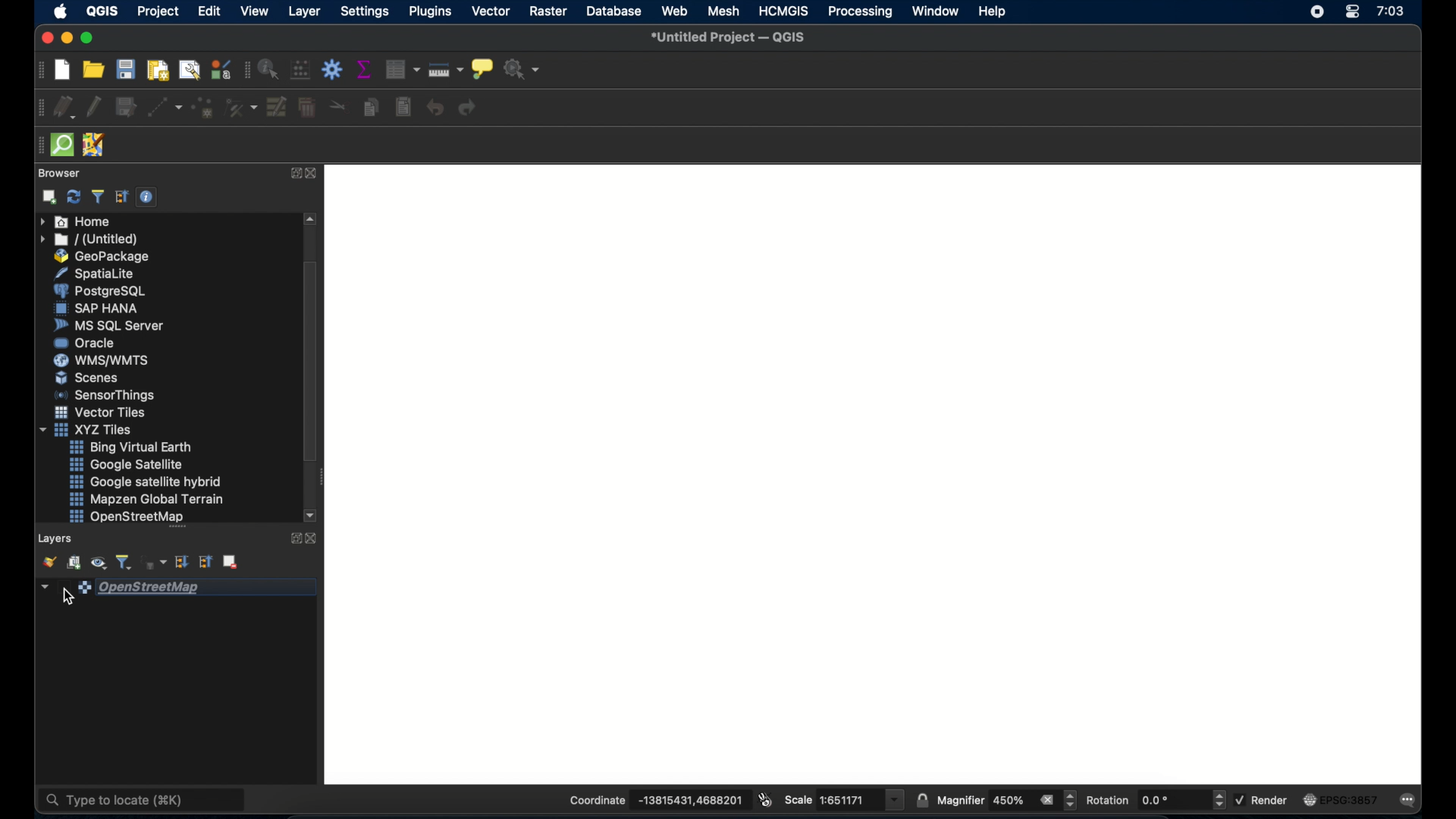 This screenshot has width=1456, height=819. What do you see at coordinates (1156, 801) in the screenshot?
I see `rotation` at bounding box center [1156, 801].